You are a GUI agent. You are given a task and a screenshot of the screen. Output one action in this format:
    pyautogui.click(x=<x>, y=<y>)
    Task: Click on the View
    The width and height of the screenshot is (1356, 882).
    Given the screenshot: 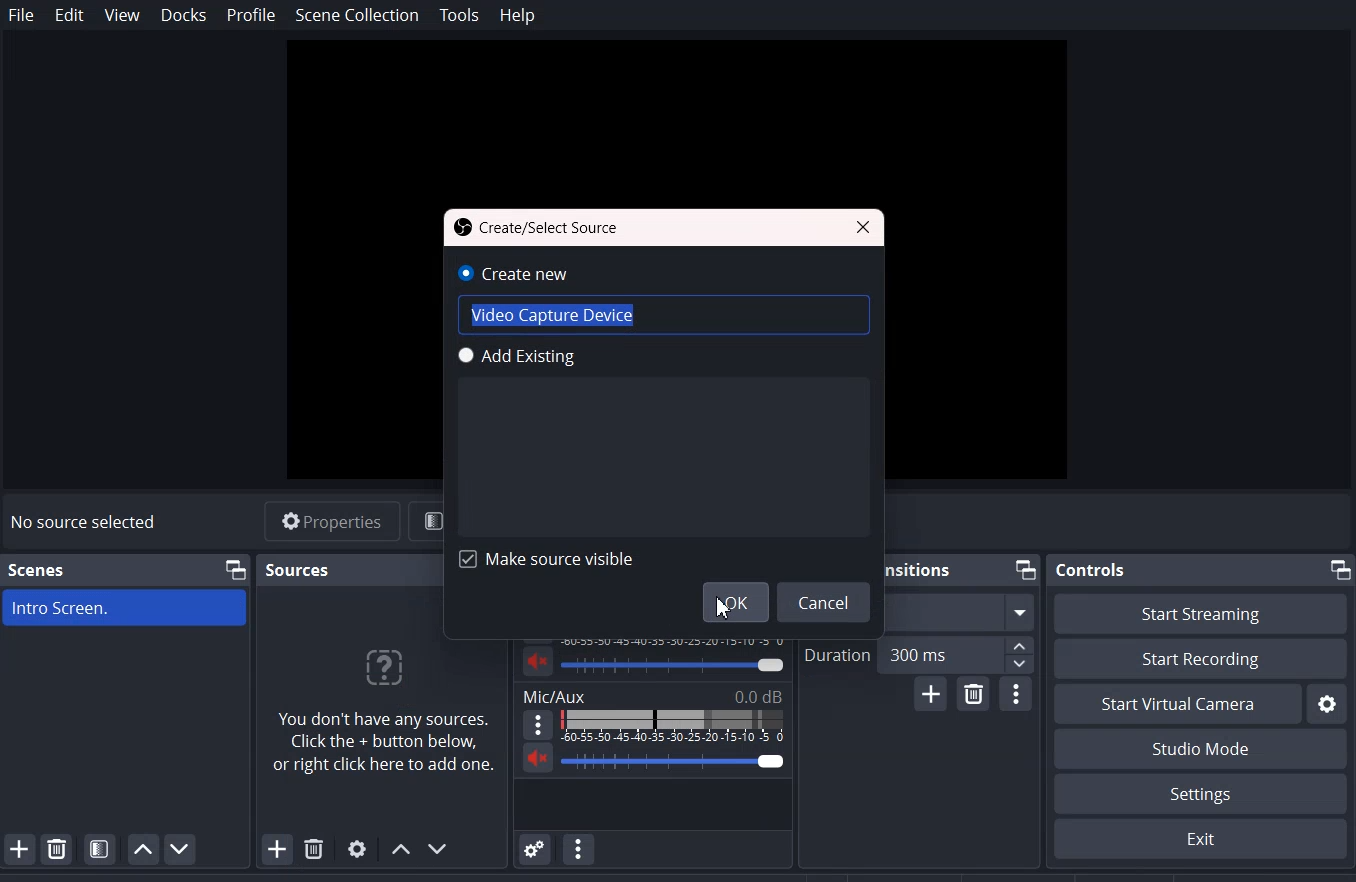 What is the action you would take?
    pyautogui.click(x=122, y=15)
    